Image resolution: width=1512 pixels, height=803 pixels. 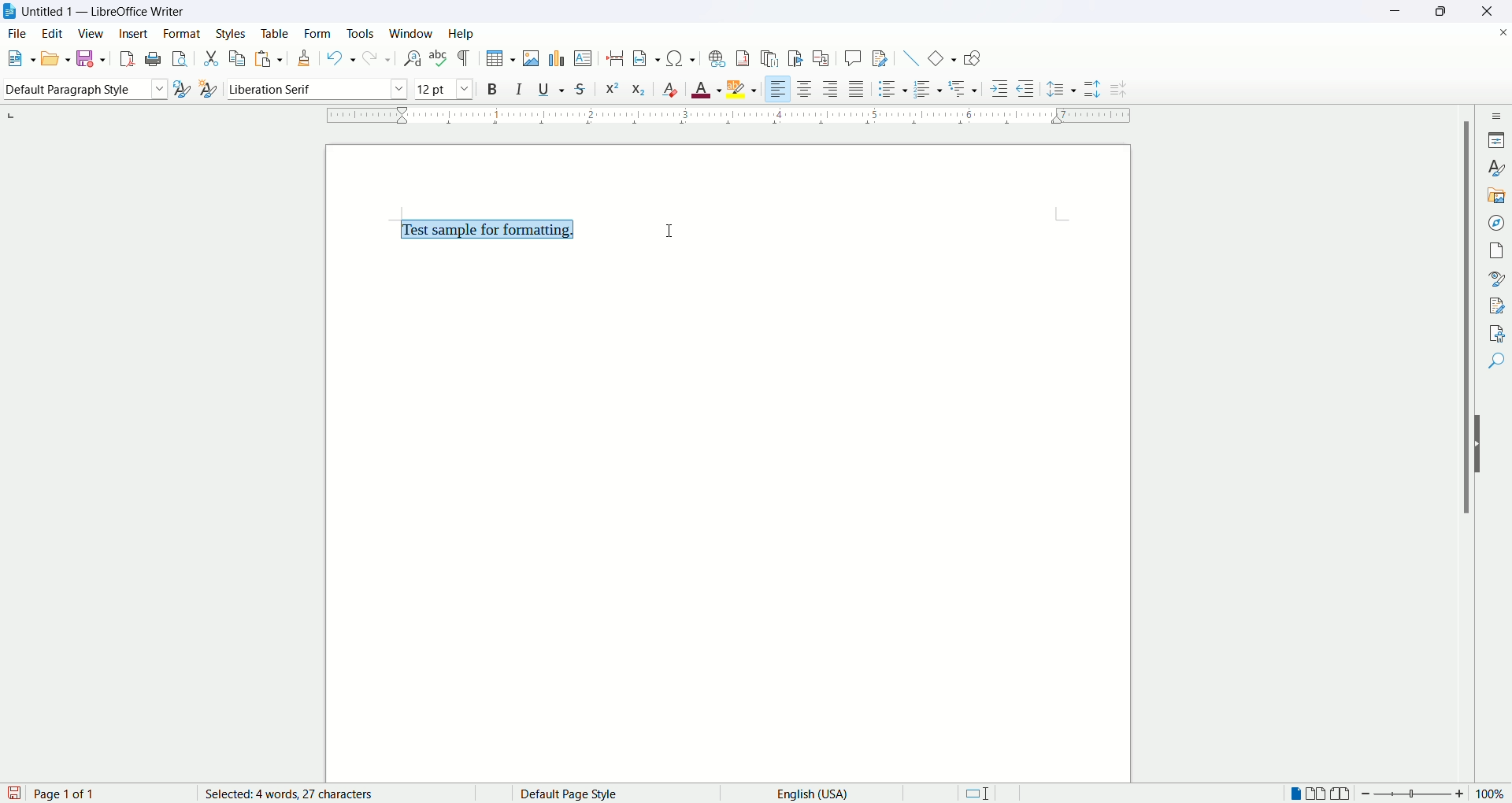 I want to click on redo, so click(x=376, y=58).